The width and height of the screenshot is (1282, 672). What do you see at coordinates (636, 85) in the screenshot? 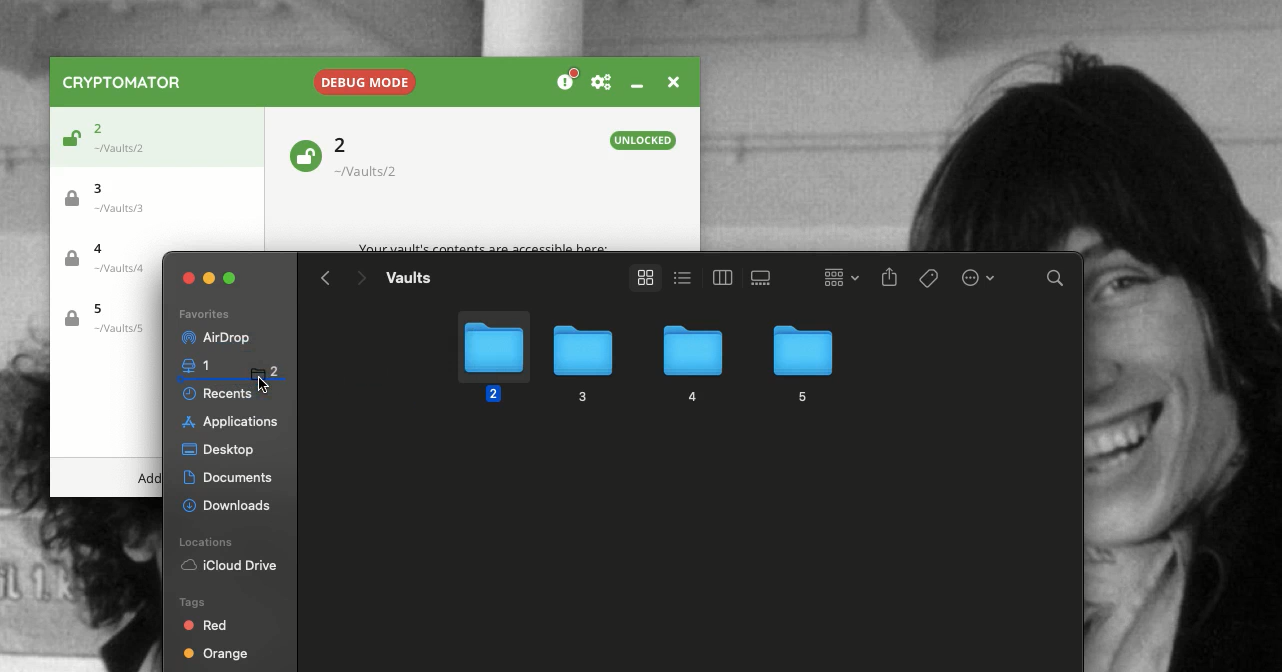
I see `Minimize` at bounding box center [636, 85].